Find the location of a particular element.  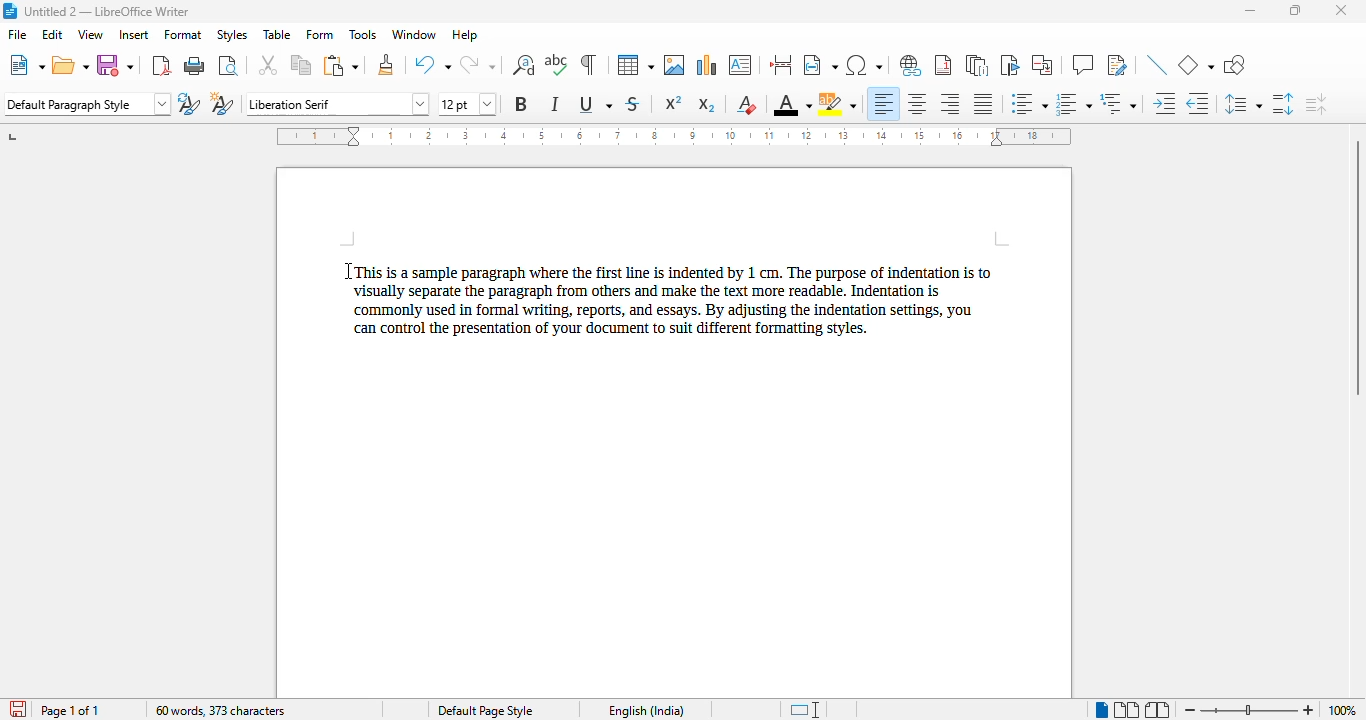

insert cross-reference is located at coordinates (1043, 65).